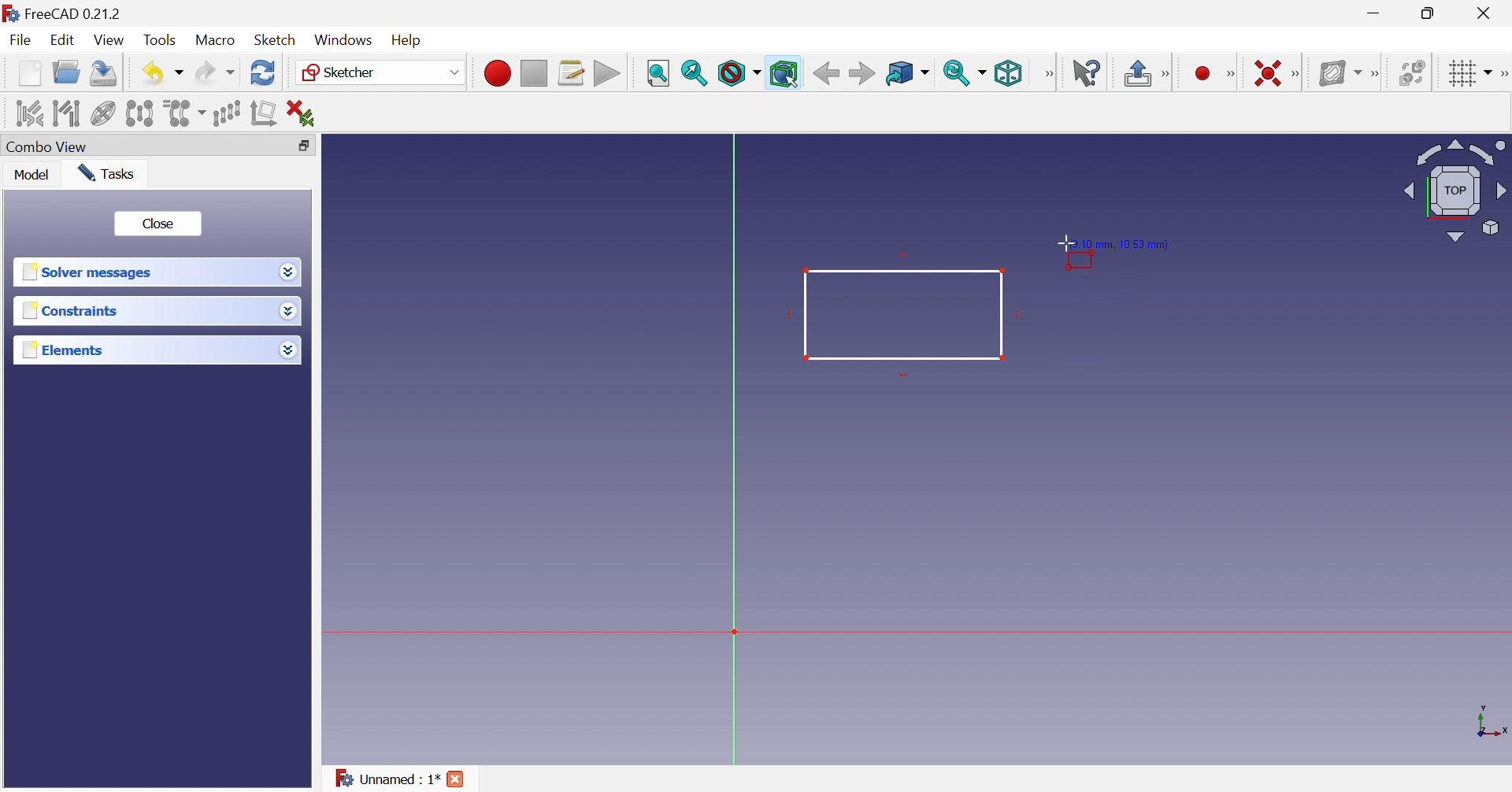 The height and width of the screenshot is (792, 1512). What do you see at coordinates (1489, 720) in the screenshot?
I see `x, y axis` at bounding box center [1489, 720].